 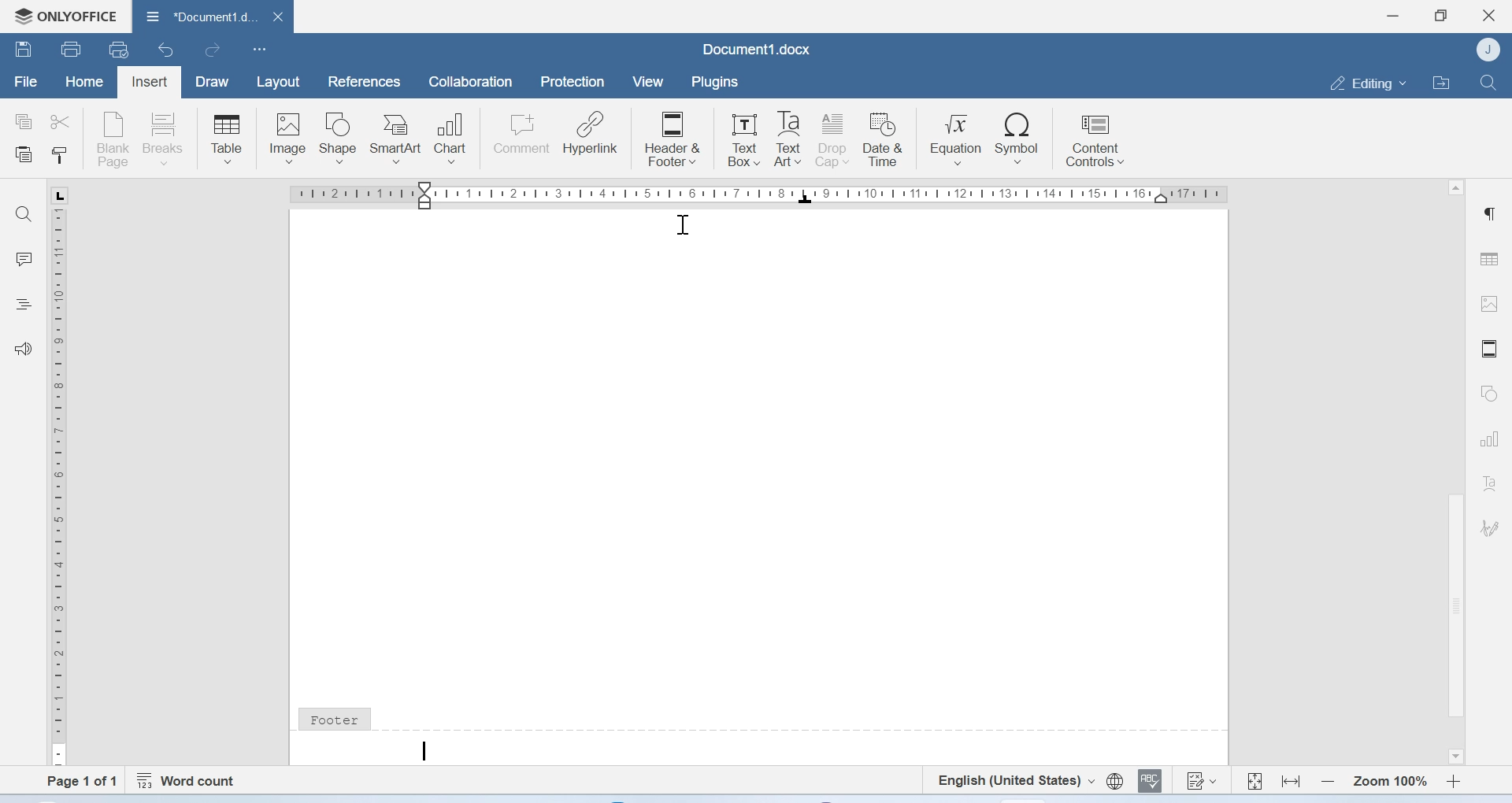 I want to click on Date & Time, so click(x=887, y=139).